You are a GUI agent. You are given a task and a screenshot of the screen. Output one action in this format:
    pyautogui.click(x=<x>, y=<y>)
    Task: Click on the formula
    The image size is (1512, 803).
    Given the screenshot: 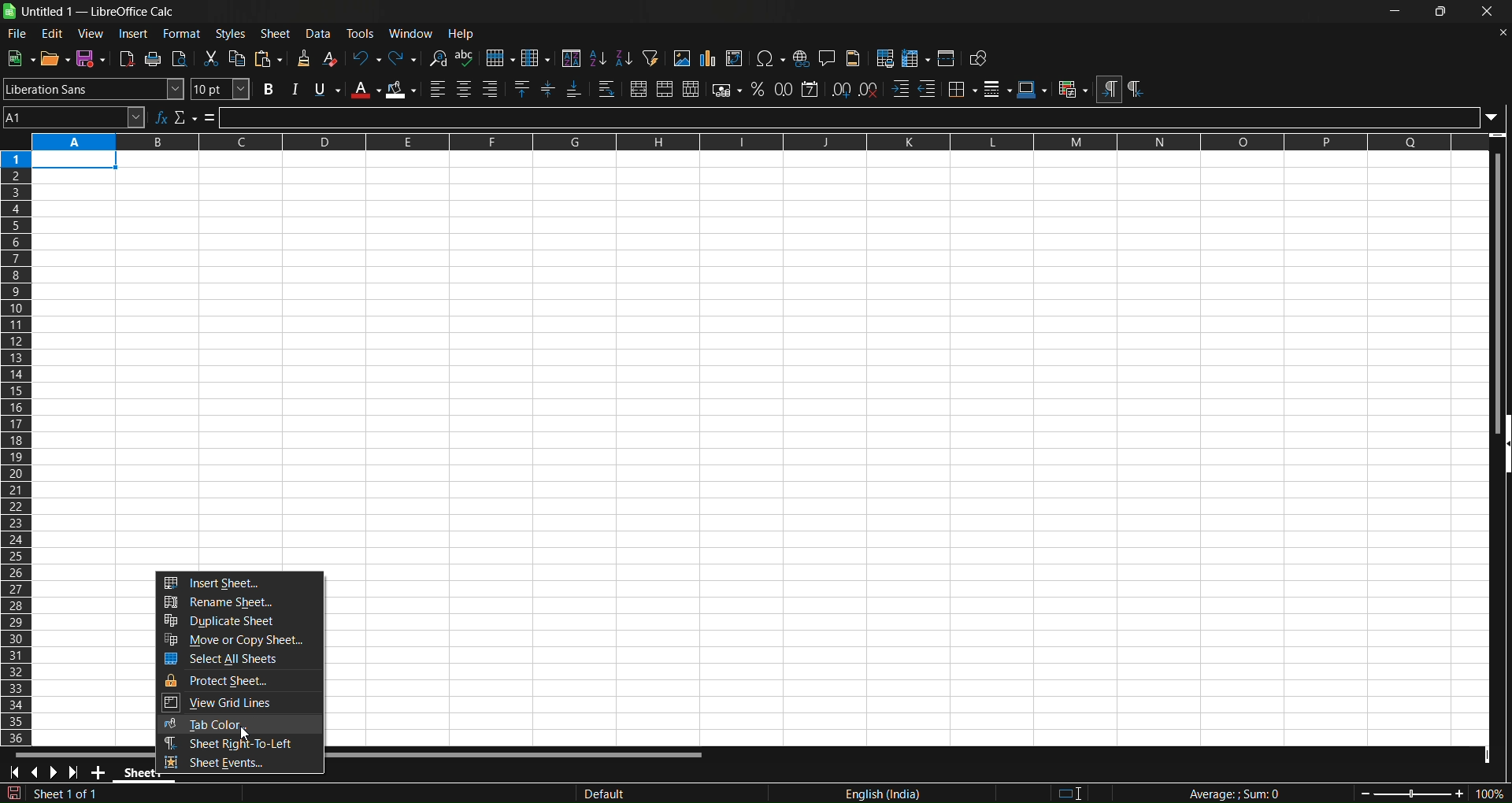 What is the action you would take?
    pyautogui.click(x=1220, y=794)
    